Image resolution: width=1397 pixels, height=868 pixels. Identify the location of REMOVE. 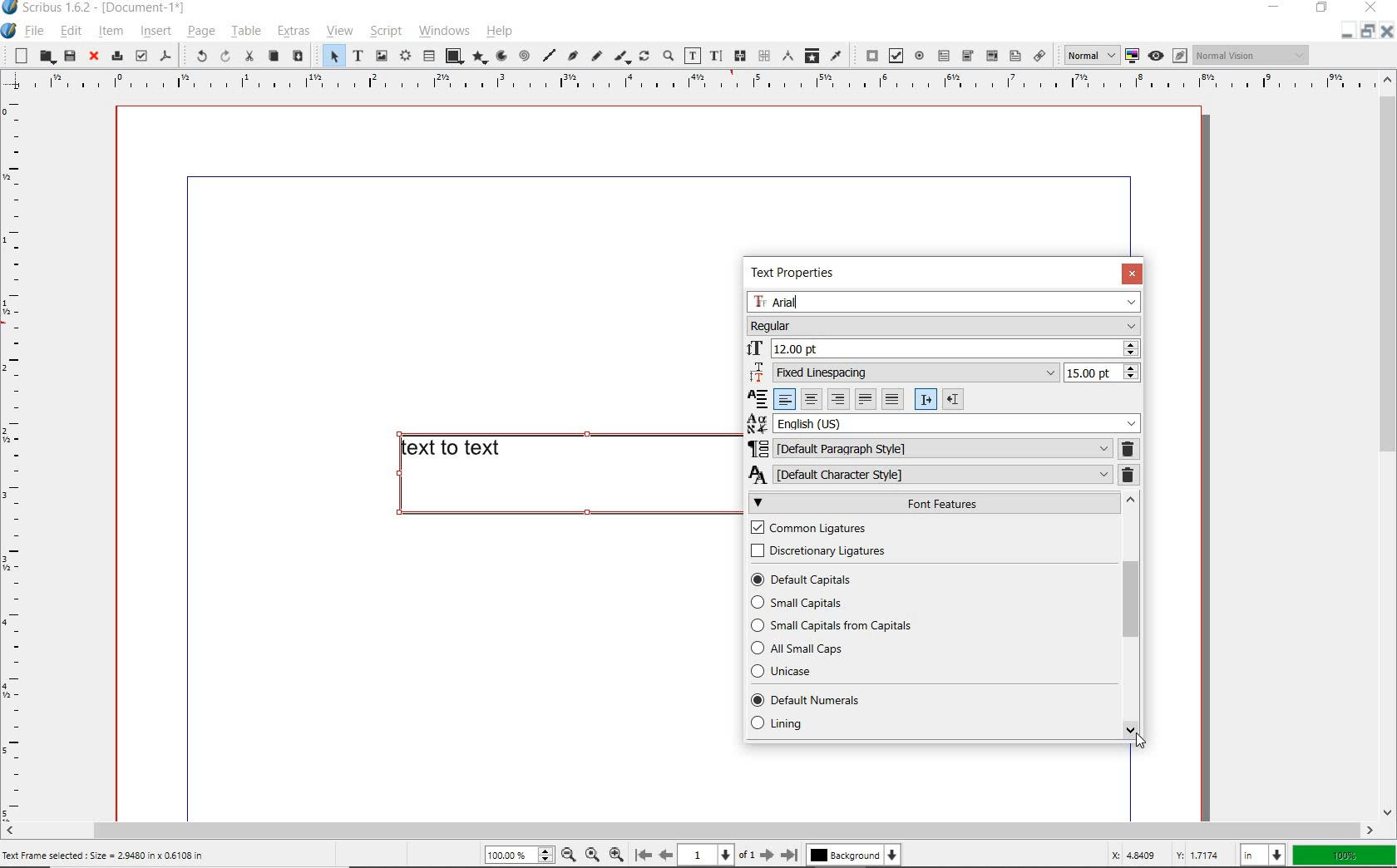
(1129, 462).